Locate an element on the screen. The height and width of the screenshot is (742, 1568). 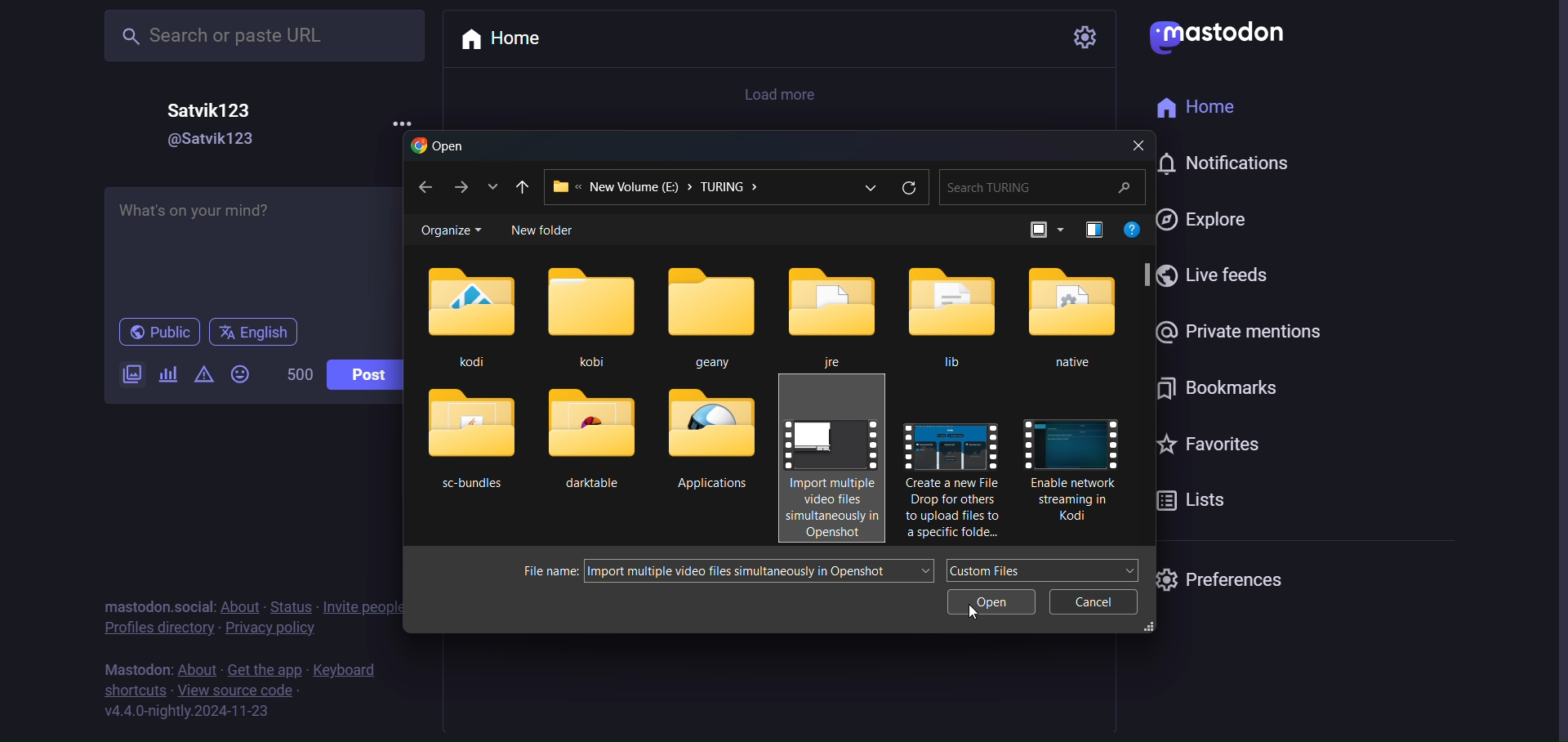
back is located at coordinates (421, 187).